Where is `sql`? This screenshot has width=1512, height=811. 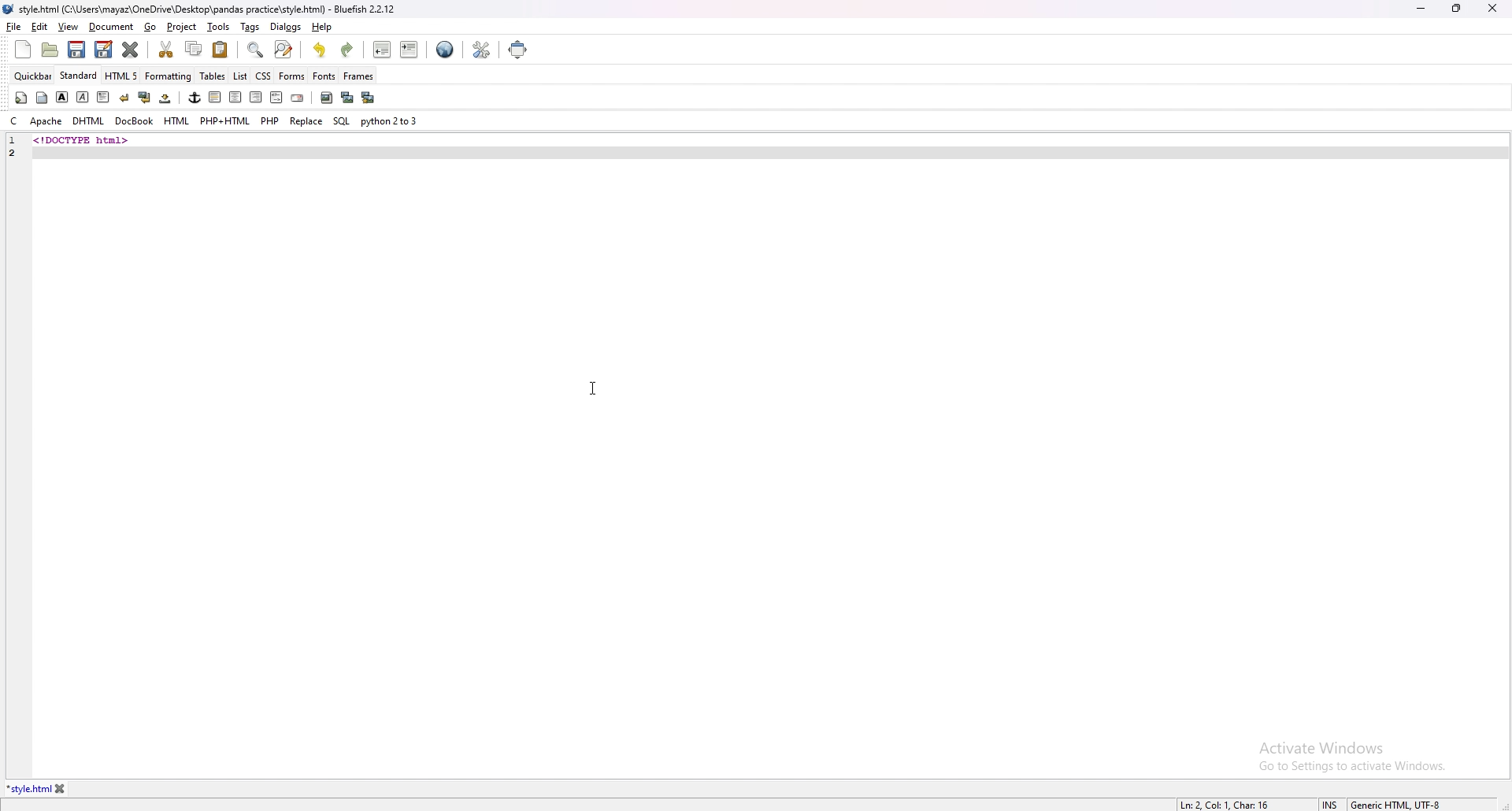 sql is located at coordinates (341, 120).